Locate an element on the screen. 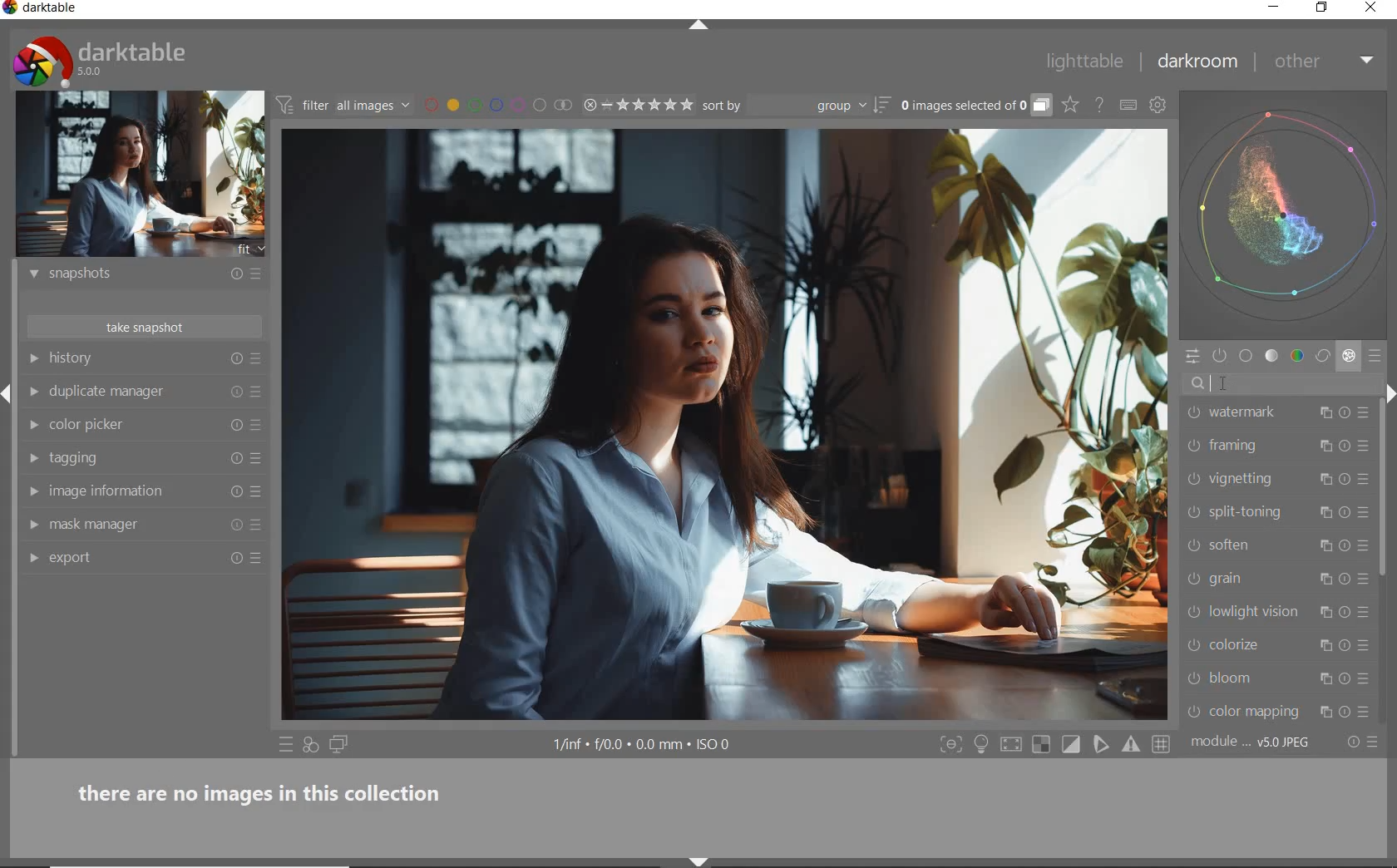  preset and preferences is located at coordinates (255, 275).